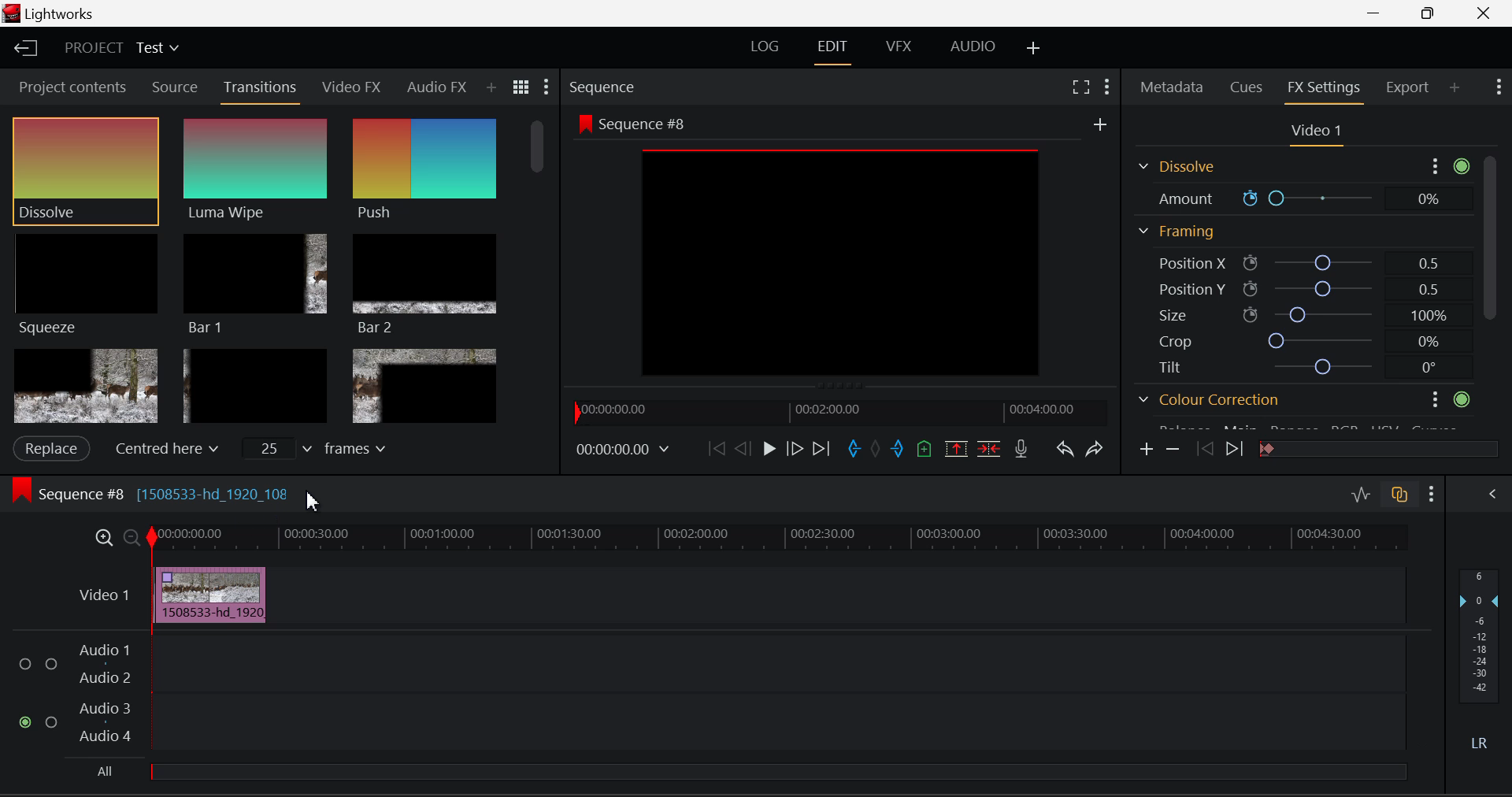 This screenshot has width=1512, height=797. I want to click on Tilt, so click(1310, 367).